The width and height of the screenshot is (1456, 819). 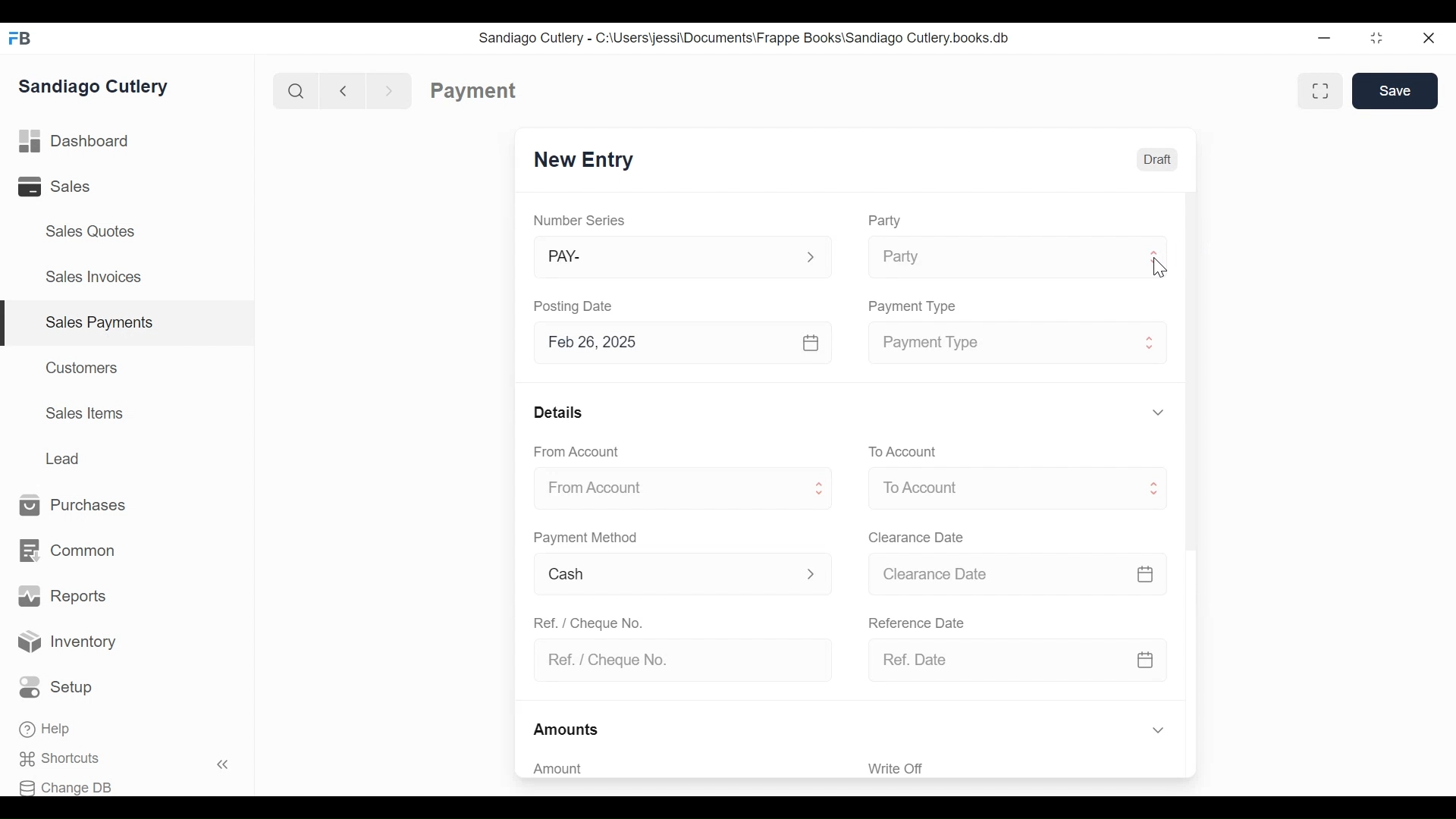 What do you see at coordinates (915, 621) in the screenshot?
I see `Reference Date` at bounding box center [915, 621].